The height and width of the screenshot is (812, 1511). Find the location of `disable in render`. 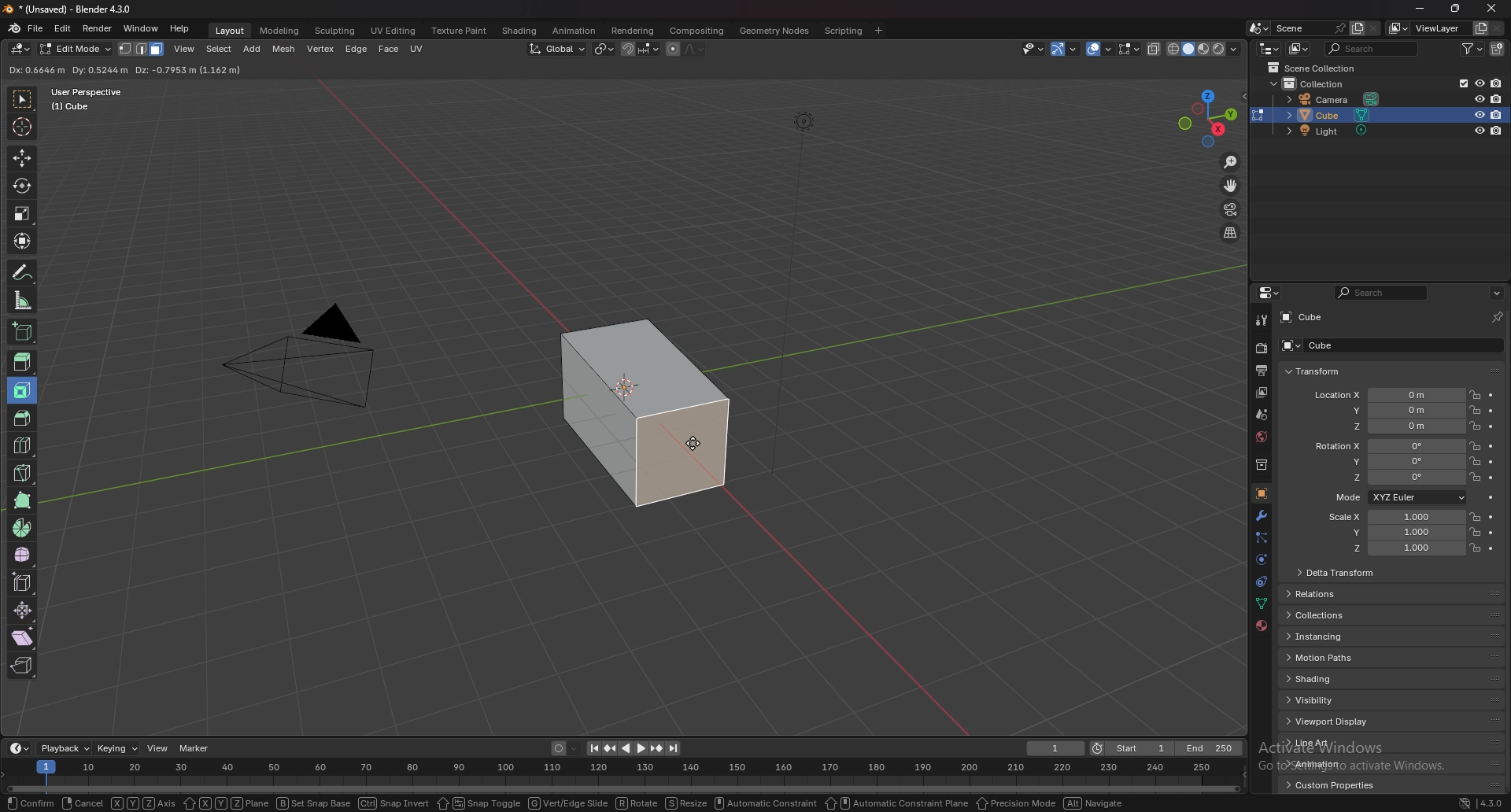

disable in render is located at coordinates (1496, 115).